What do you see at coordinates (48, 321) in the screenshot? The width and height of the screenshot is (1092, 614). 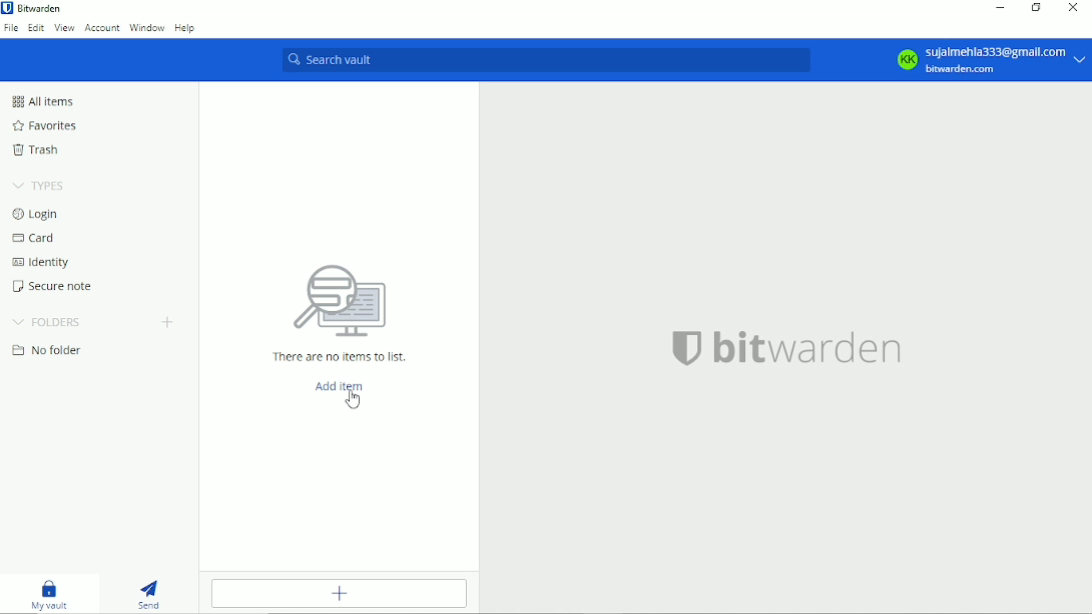 I see `Folders` at bounding box center [48, 321].